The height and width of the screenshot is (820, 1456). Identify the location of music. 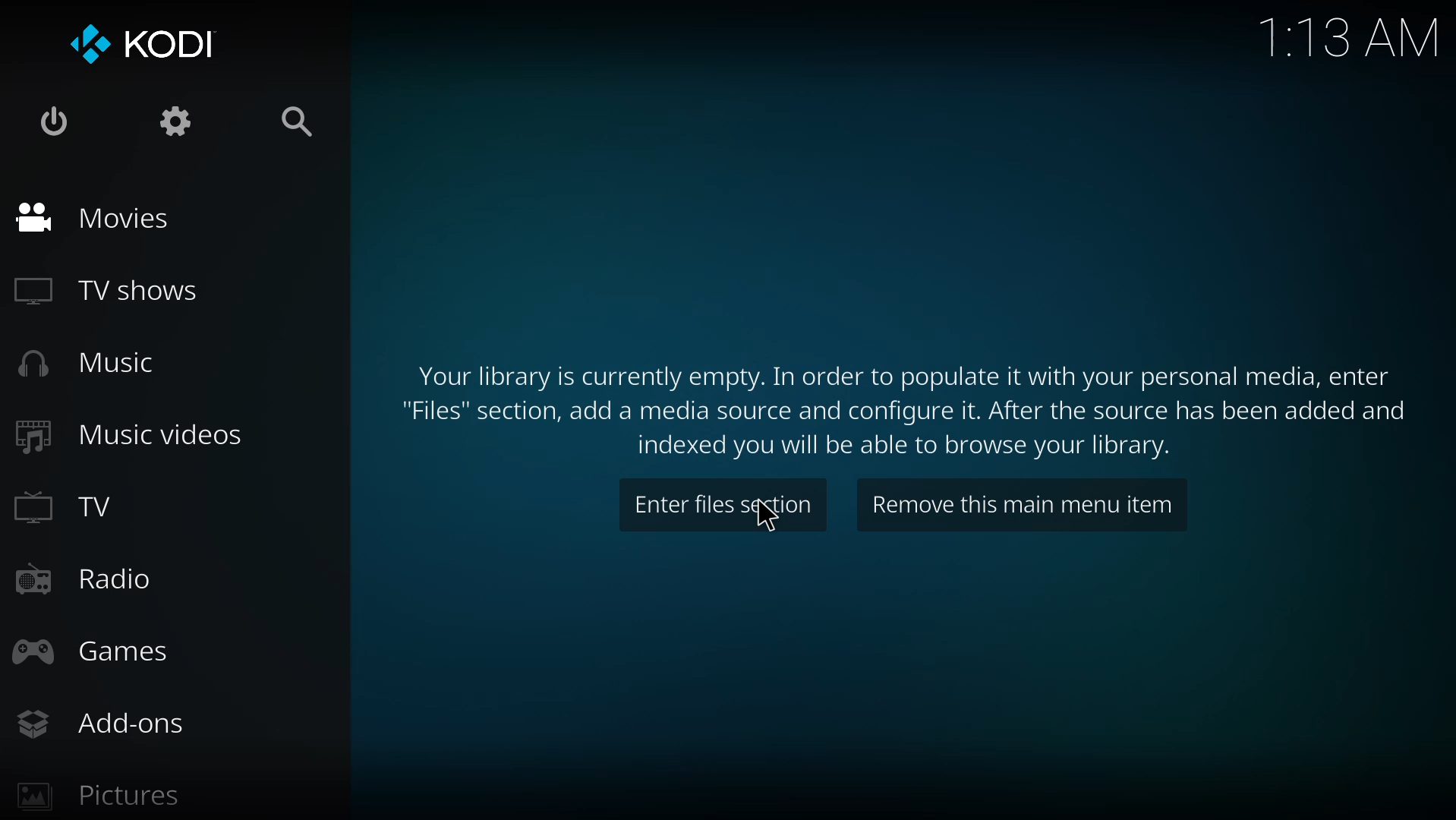
(98, 361).